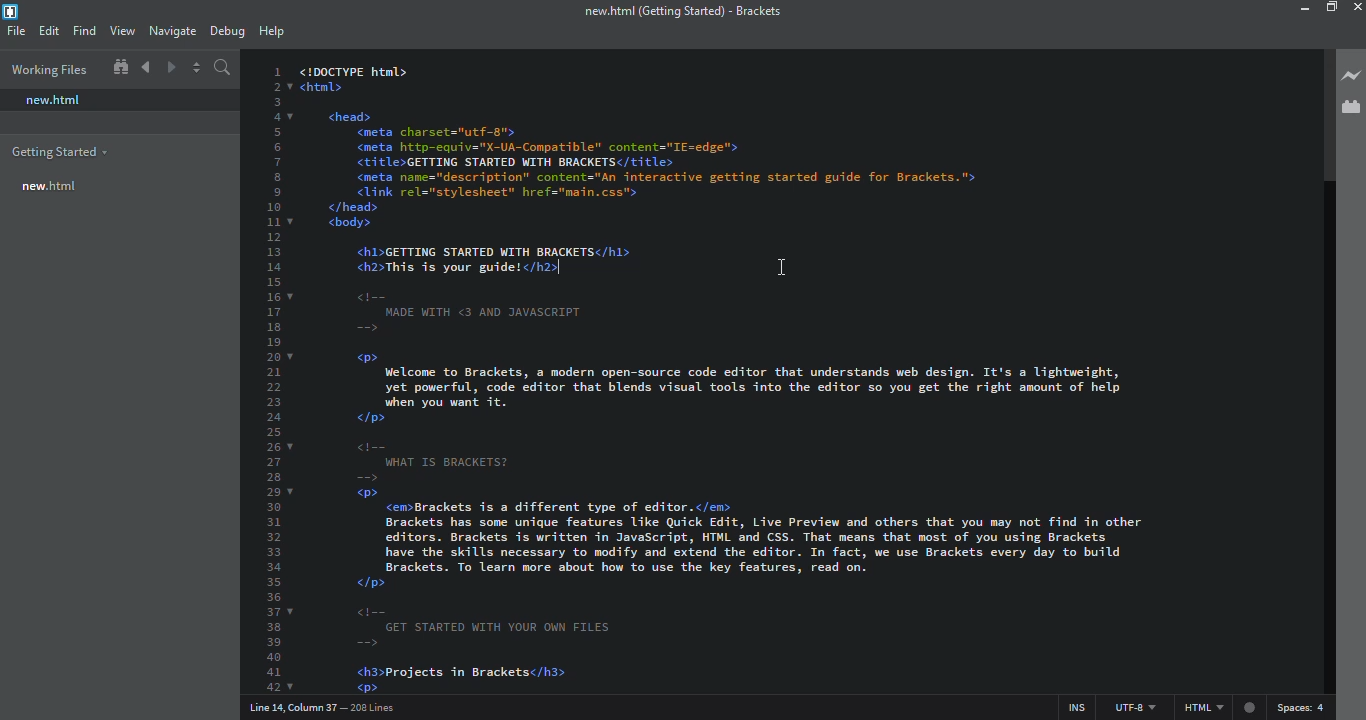 The height and width of the screenshot is (720, 1366). What do you see at coordinates (61, 151) in the screenshot?
I see `getting started` at bounding box center [61, 151].